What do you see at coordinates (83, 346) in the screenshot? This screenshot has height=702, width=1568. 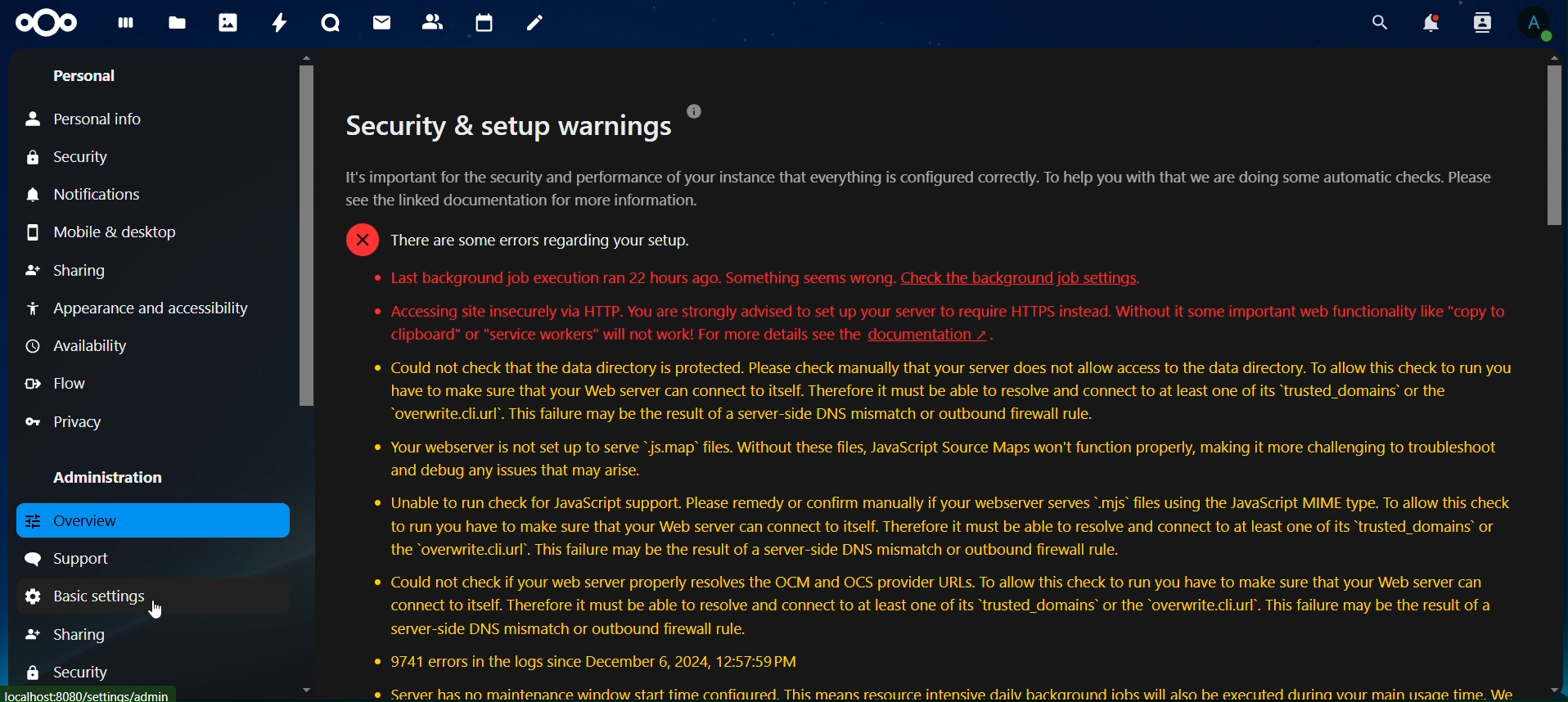 I see `availability` at bounding box center [83, 346].